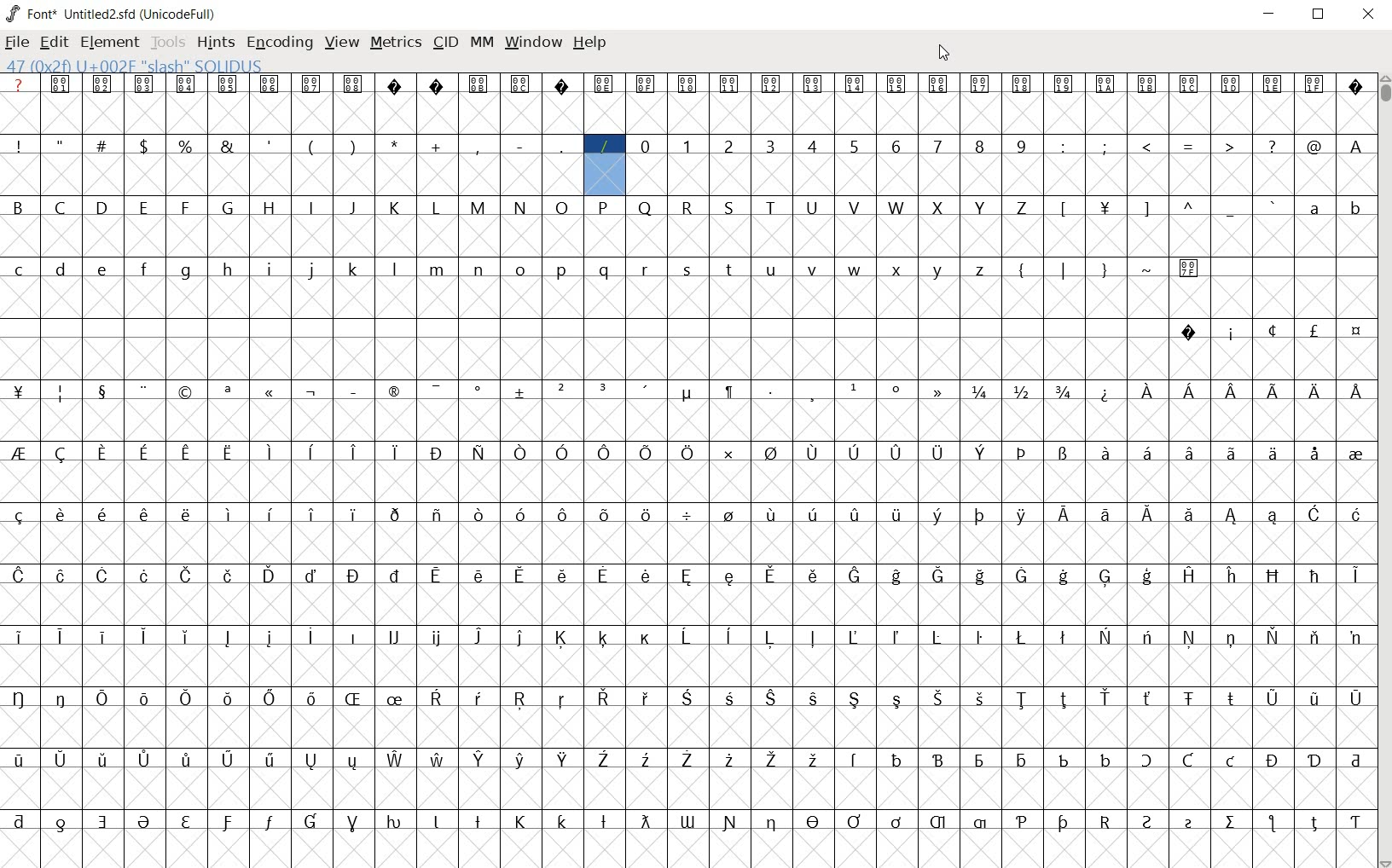 The height and width of the screenshot is (868, 1392). Describe the element at coordinates (687, 452) in the screenshot. I see `glyph` at that location.